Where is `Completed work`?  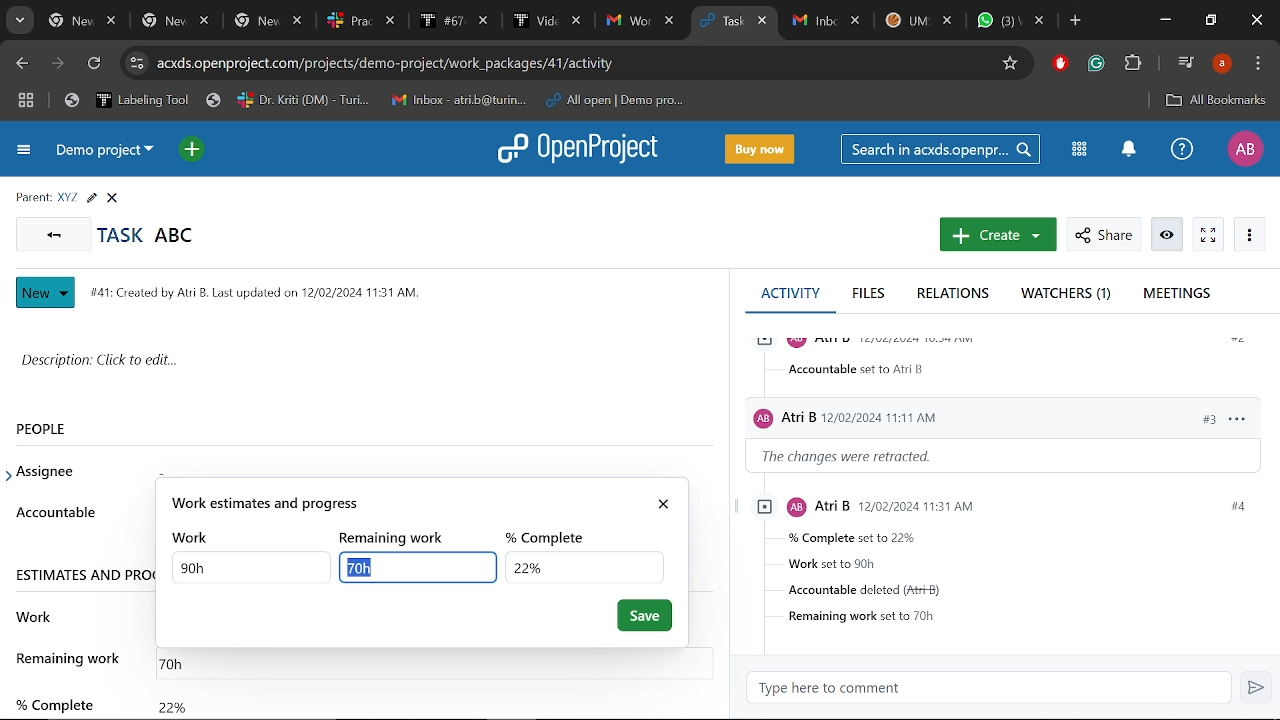
Completed work is located at coordinates (172, 702).